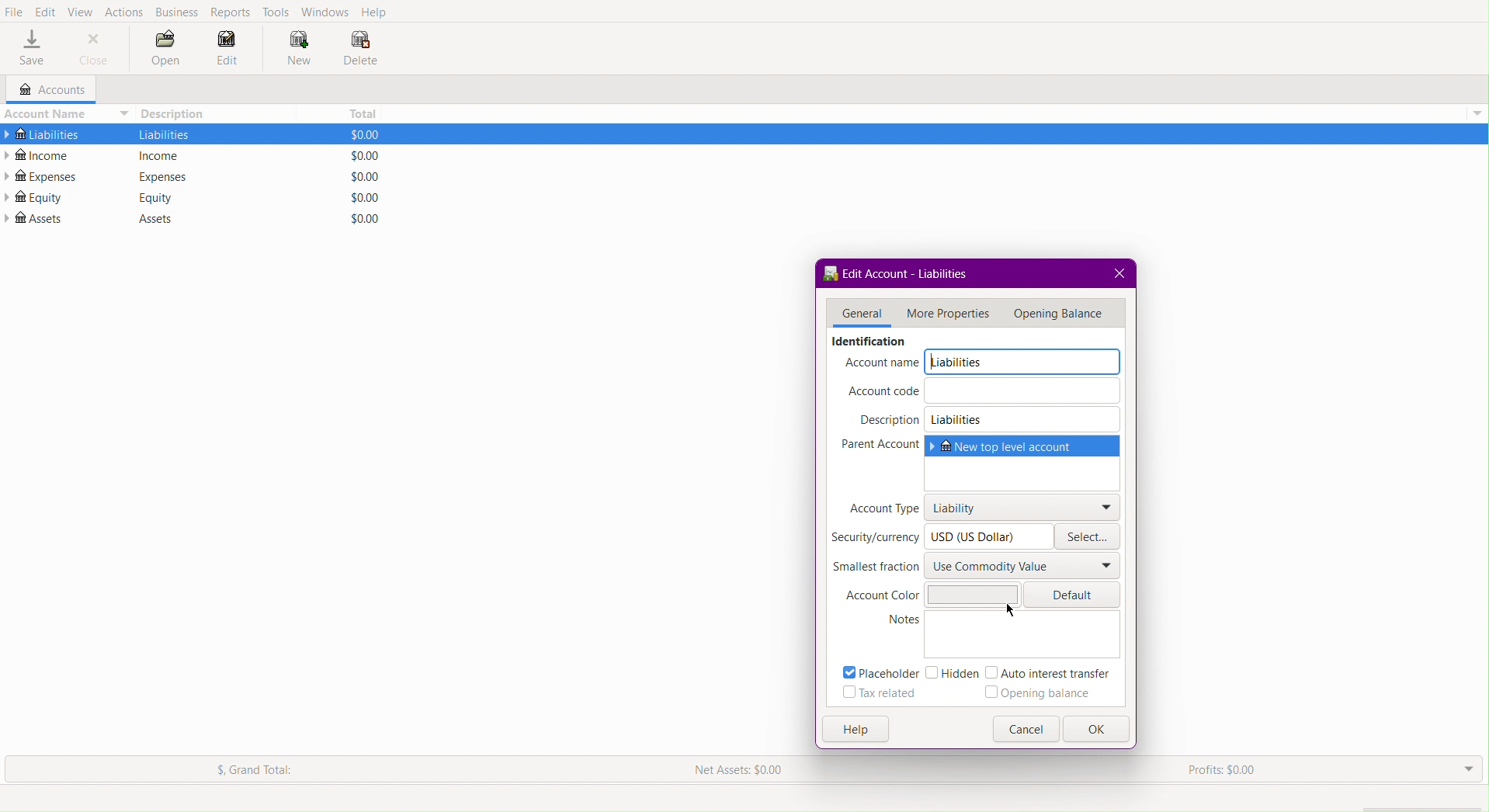 The width and height of the screenshot is (1489, 812). What do you see at coordinates (177, 12) in the screenshot?
I see `Business` at bounding box center [177, 12].